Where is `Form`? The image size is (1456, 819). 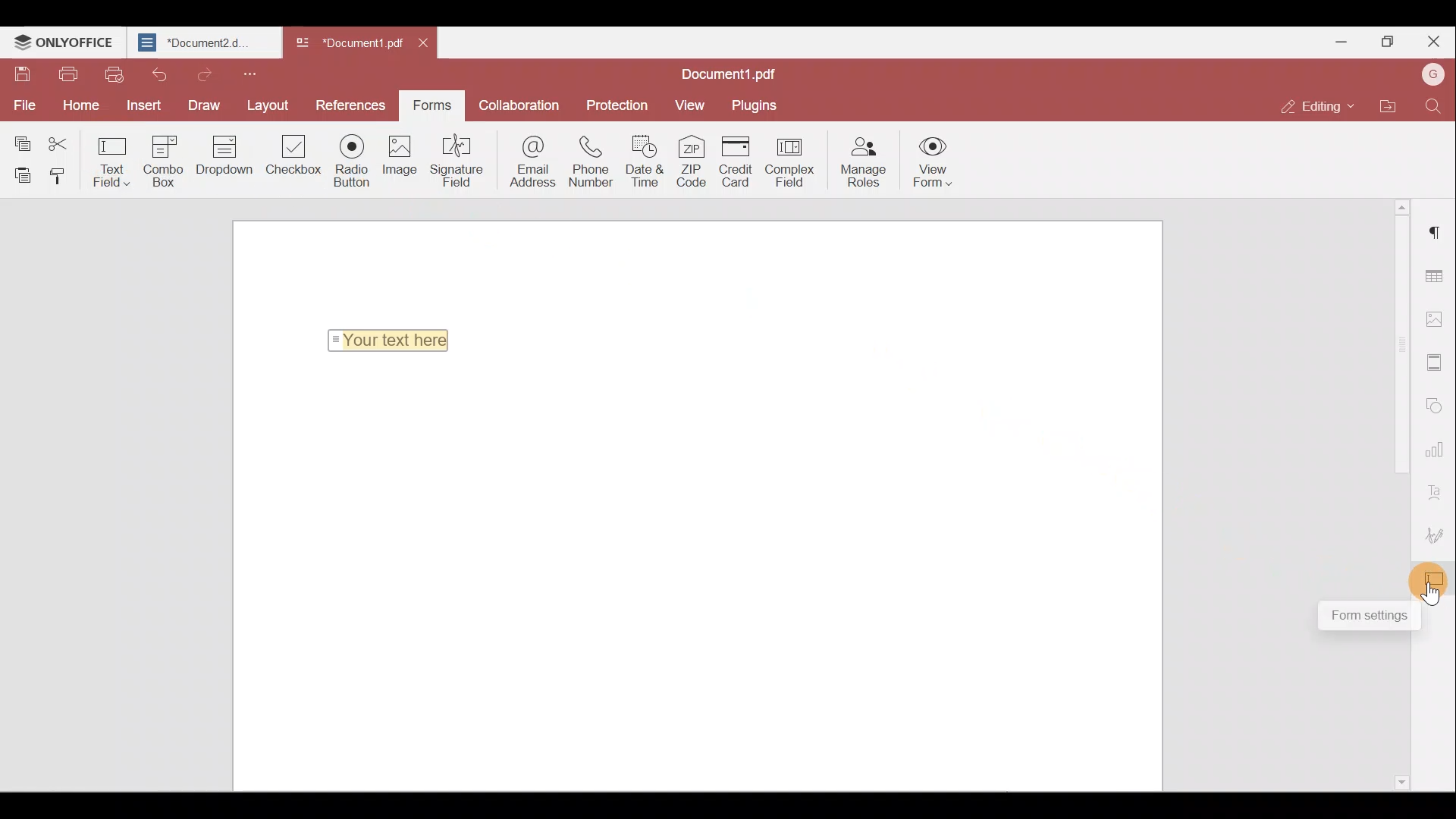
Form is located at coordinates (431, 103).